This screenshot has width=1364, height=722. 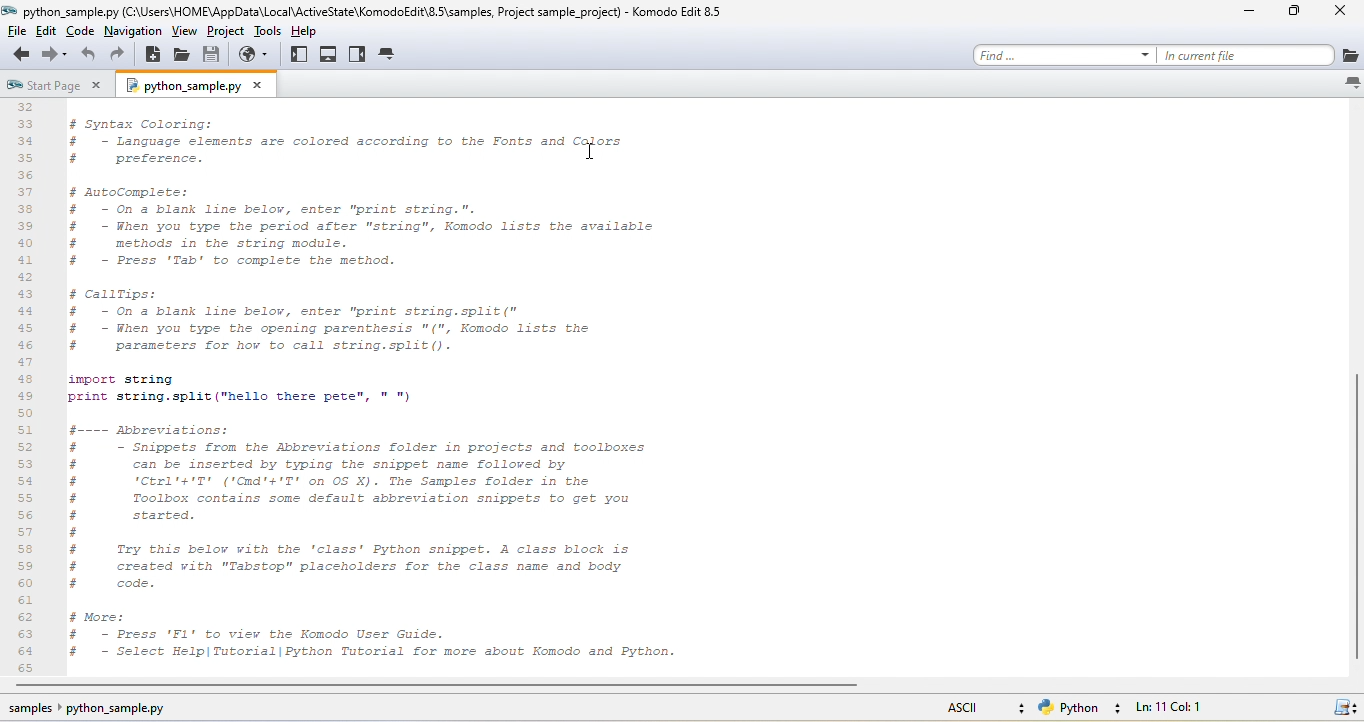 I want to click on horizontal scroll bar, so click(x=453, y=688).